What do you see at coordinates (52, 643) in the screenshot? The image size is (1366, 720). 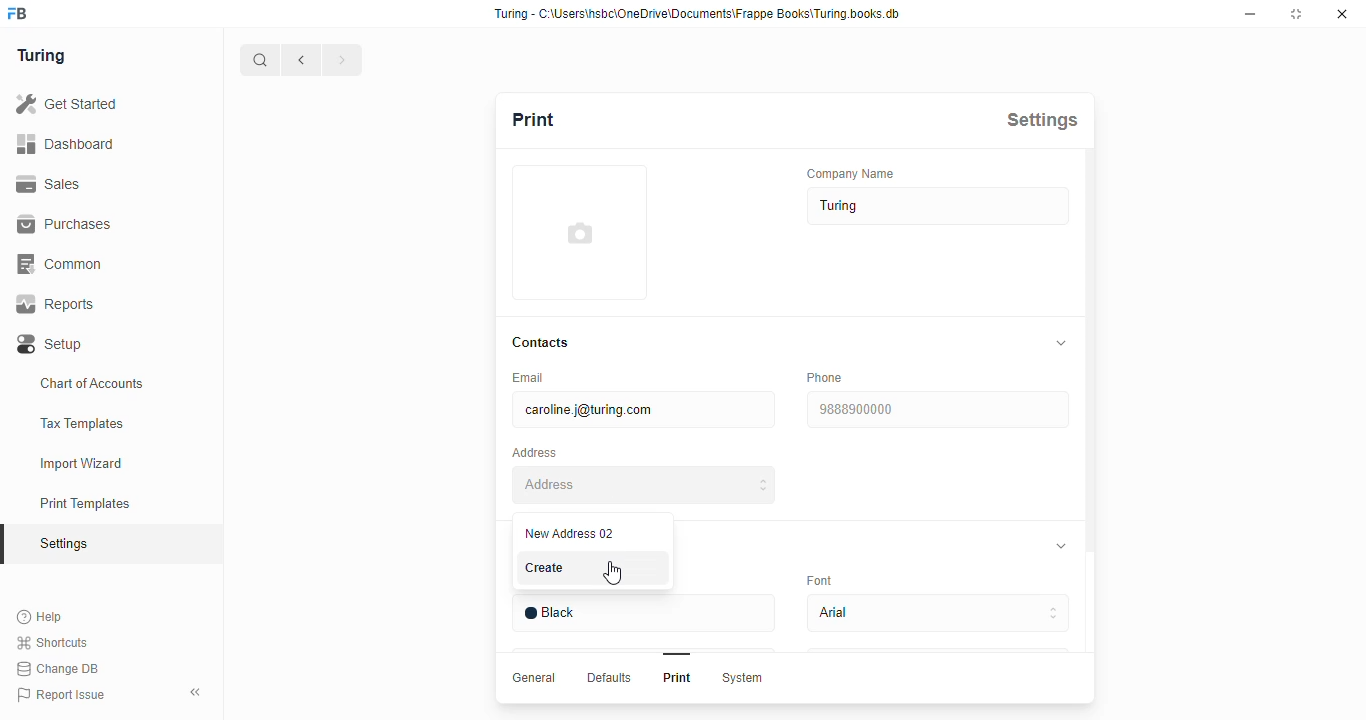 I see `shortcuts` at bounding box center [52, 643].